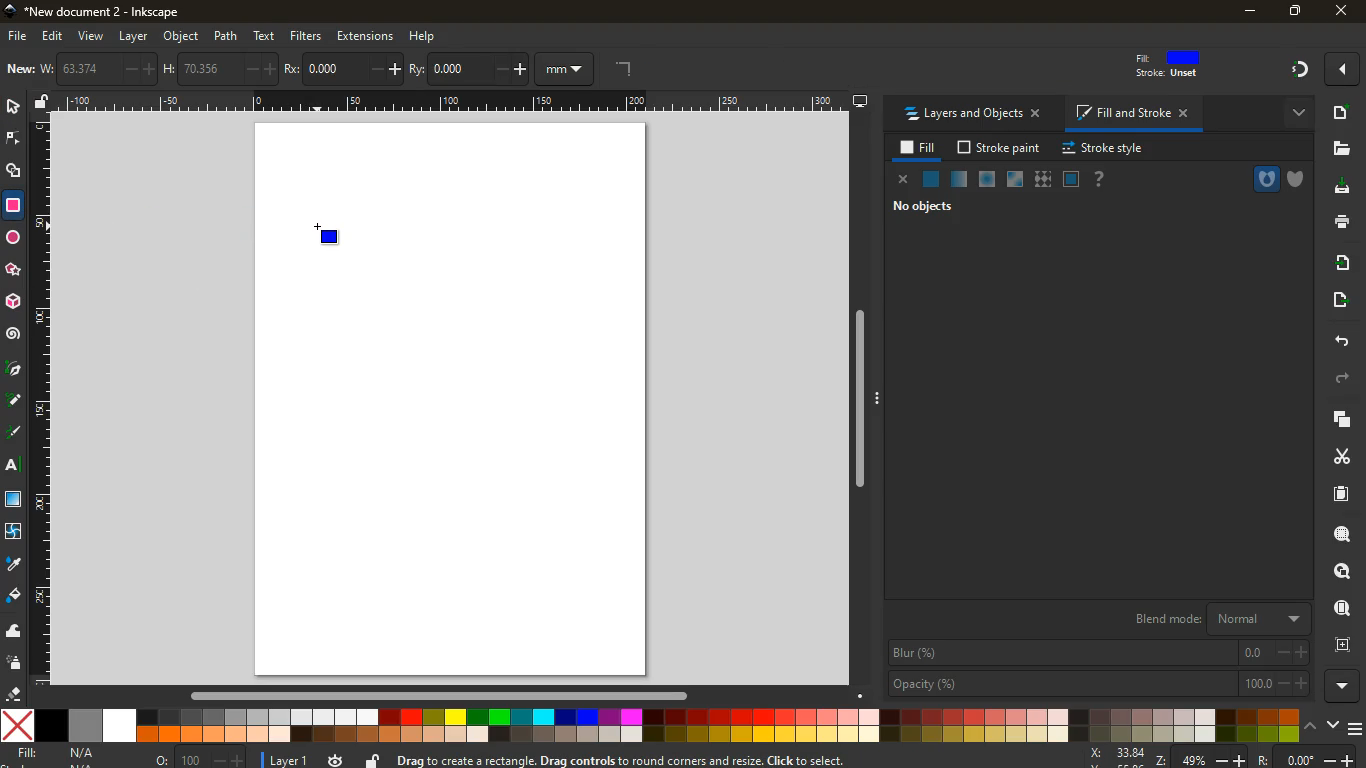 This screenshot has height=768, width=1366. What do you see at coordinates (15, 465) in the screenshot?
I see `text` at bounding box center [15, 465].